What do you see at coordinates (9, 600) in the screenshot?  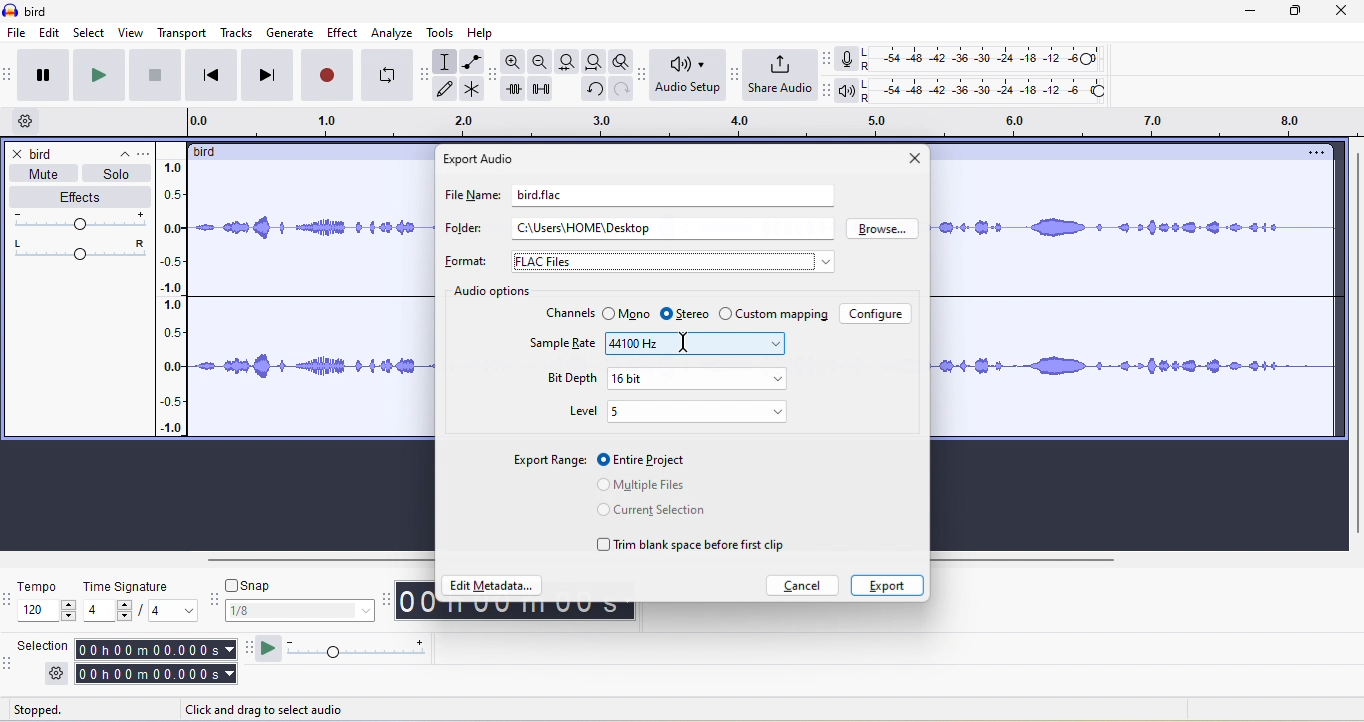 I see `audacity time signature toolbar` at bounding box center [9, 600].